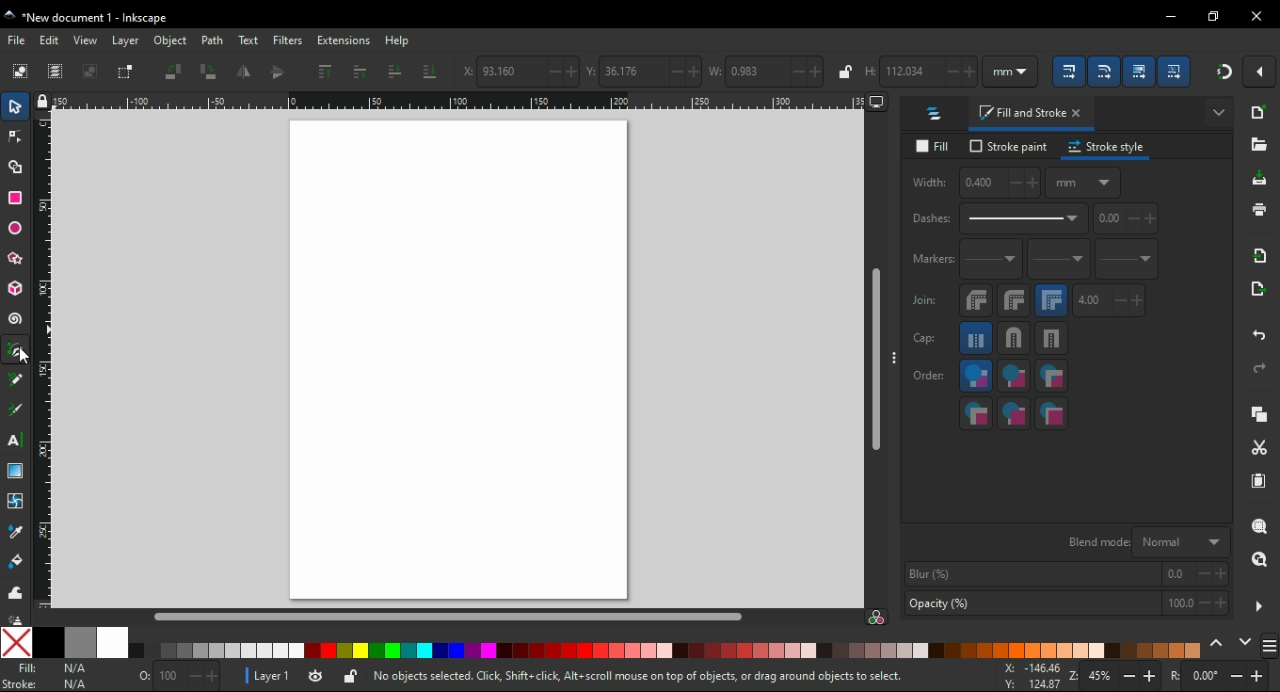  What do you see at coordinates (1116, 678) in the screenshot?
I see `zoom in/zoom out` at bounding box center [1116, 678].